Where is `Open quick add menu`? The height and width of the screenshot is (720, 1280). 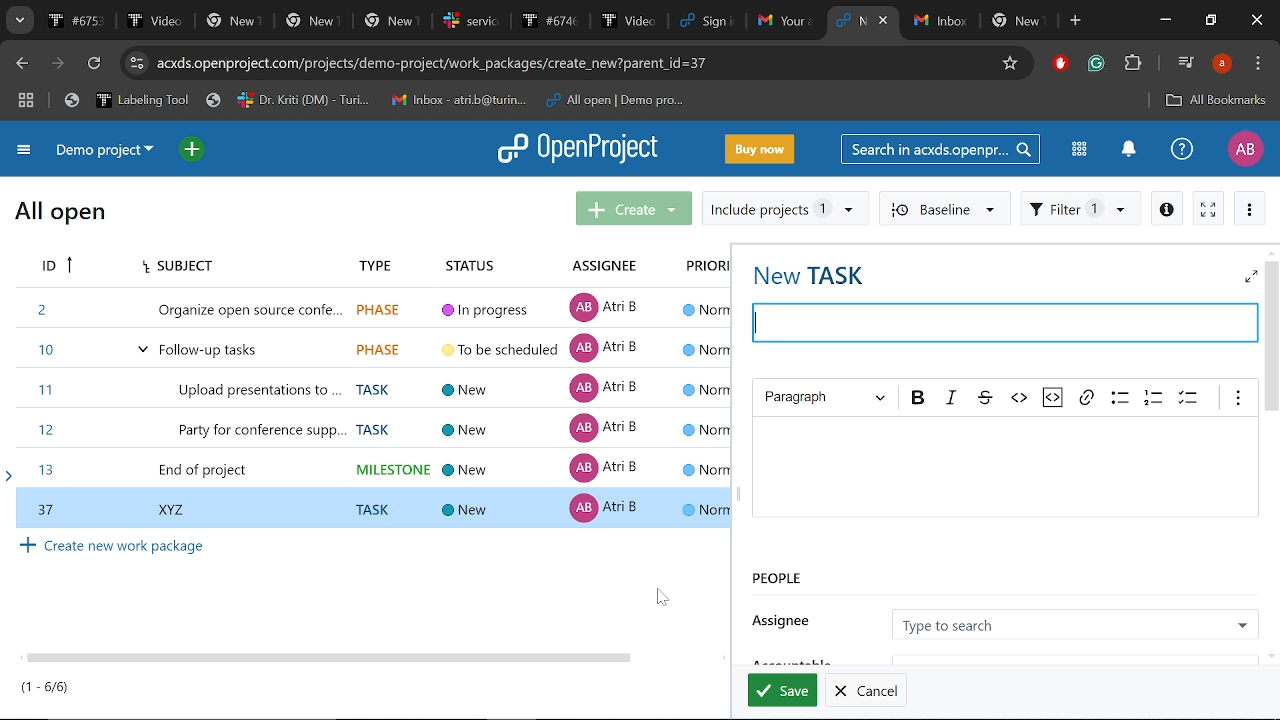 Open quick add menu is located at coordinates (194, 150).